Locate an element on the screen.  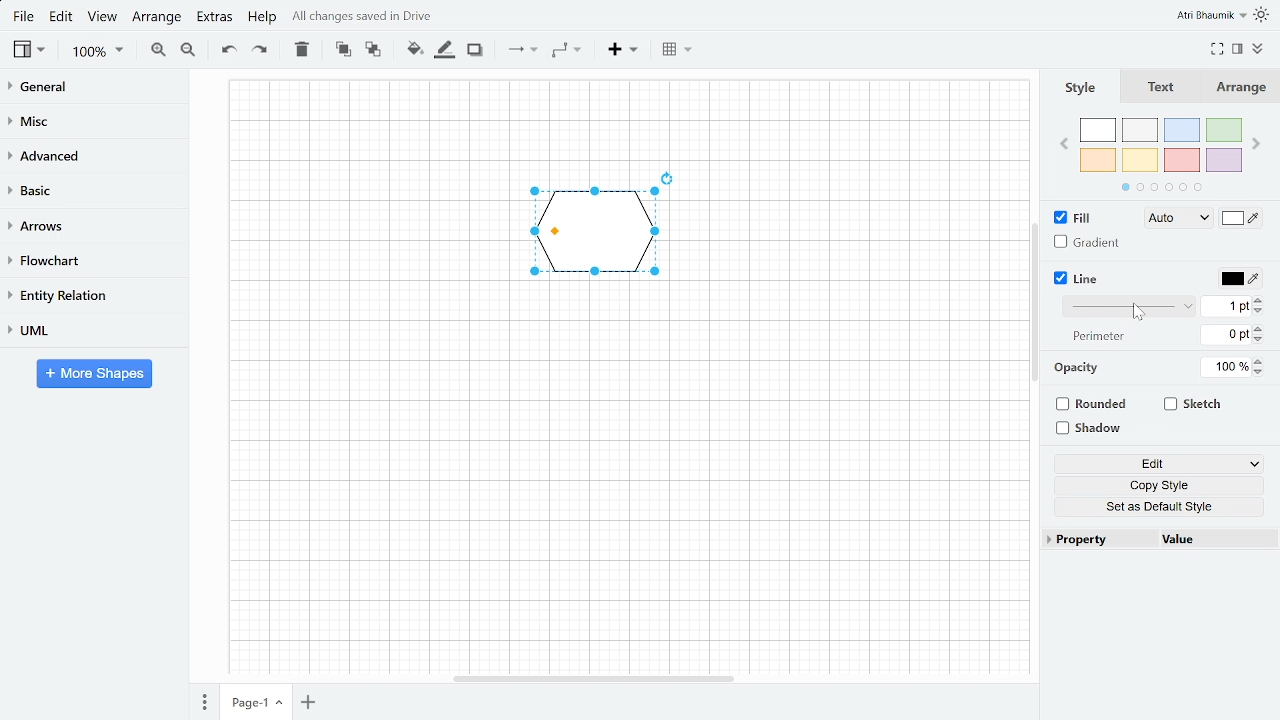
Extras is located at coordinates (215, 17).